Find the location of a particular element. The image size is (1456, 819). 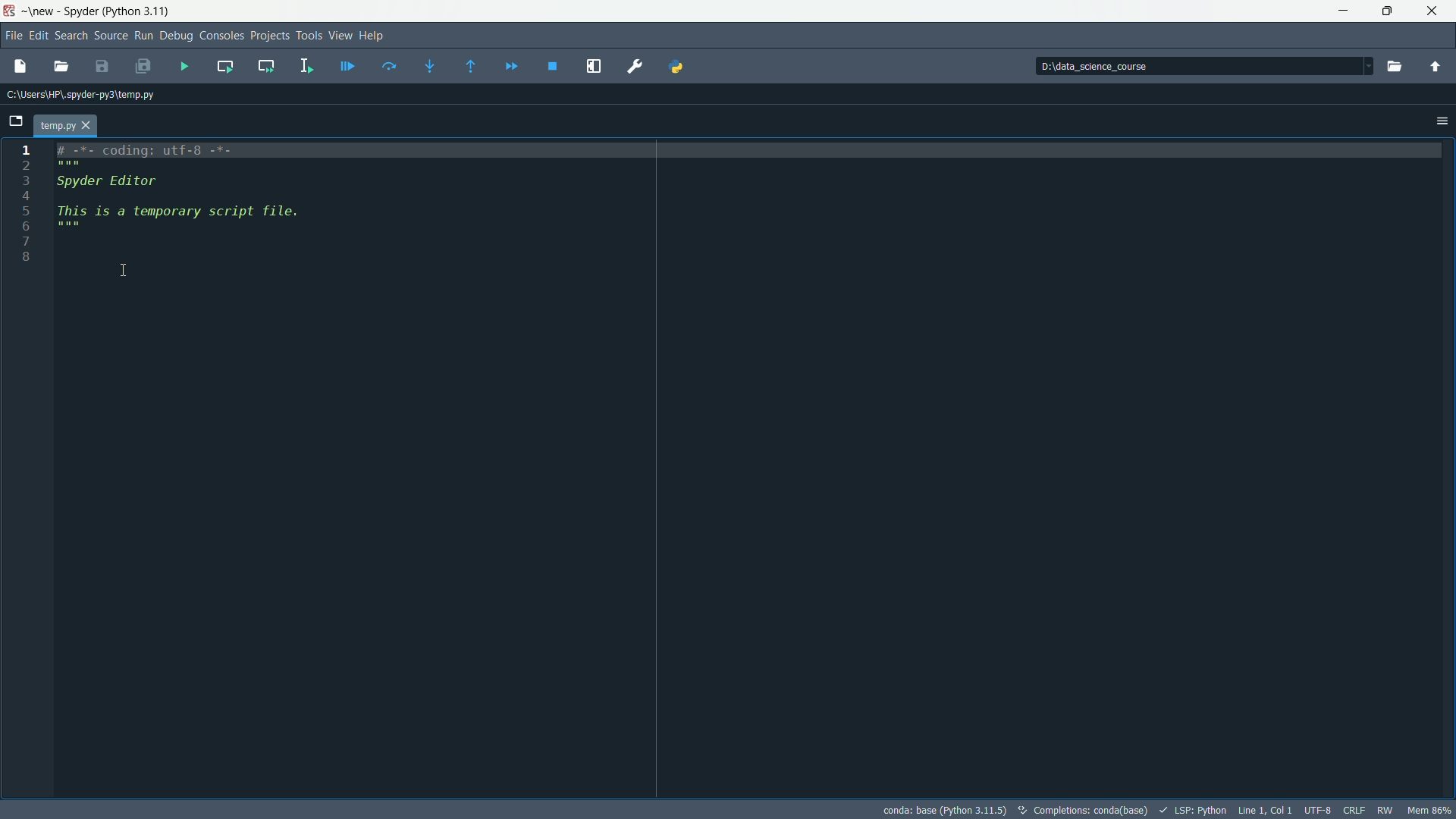

view menu is located at coordinates (340, 36).